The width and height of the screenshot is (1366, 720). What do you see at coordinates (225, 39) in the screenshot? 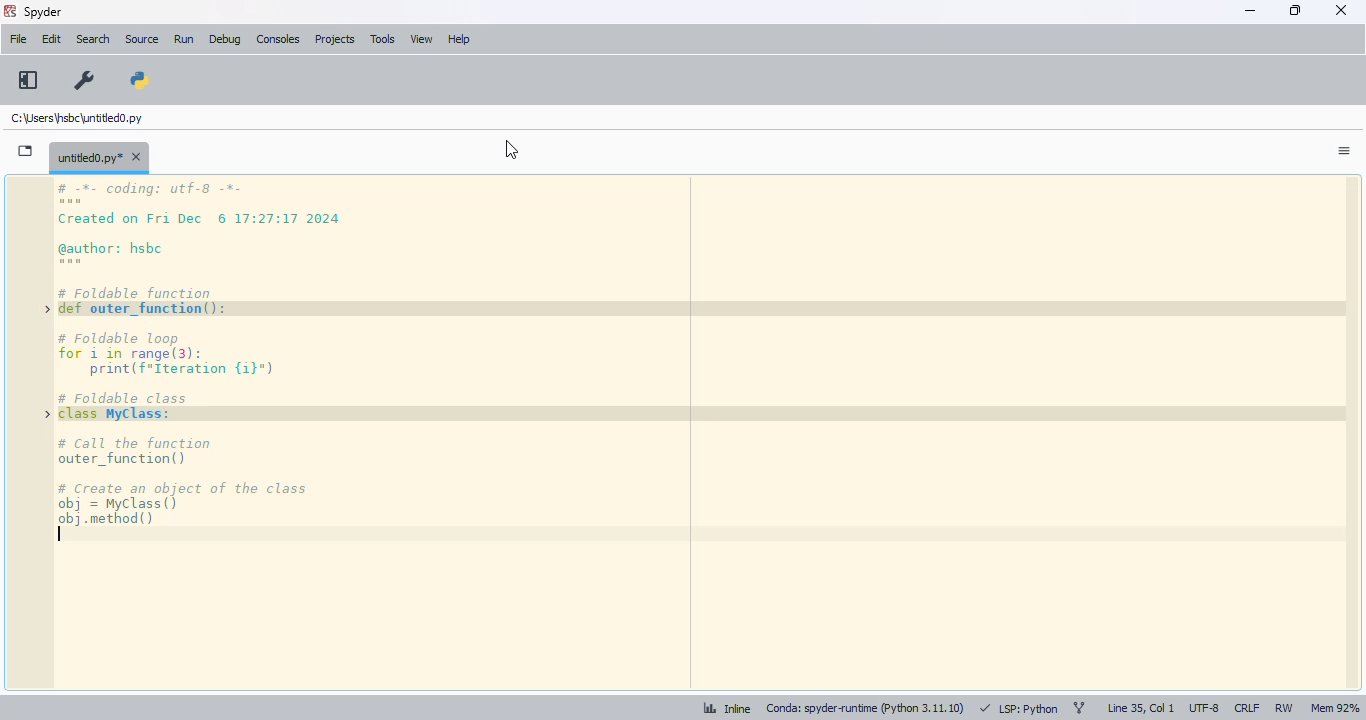
I see `debug` at bounding box center [225, 39].